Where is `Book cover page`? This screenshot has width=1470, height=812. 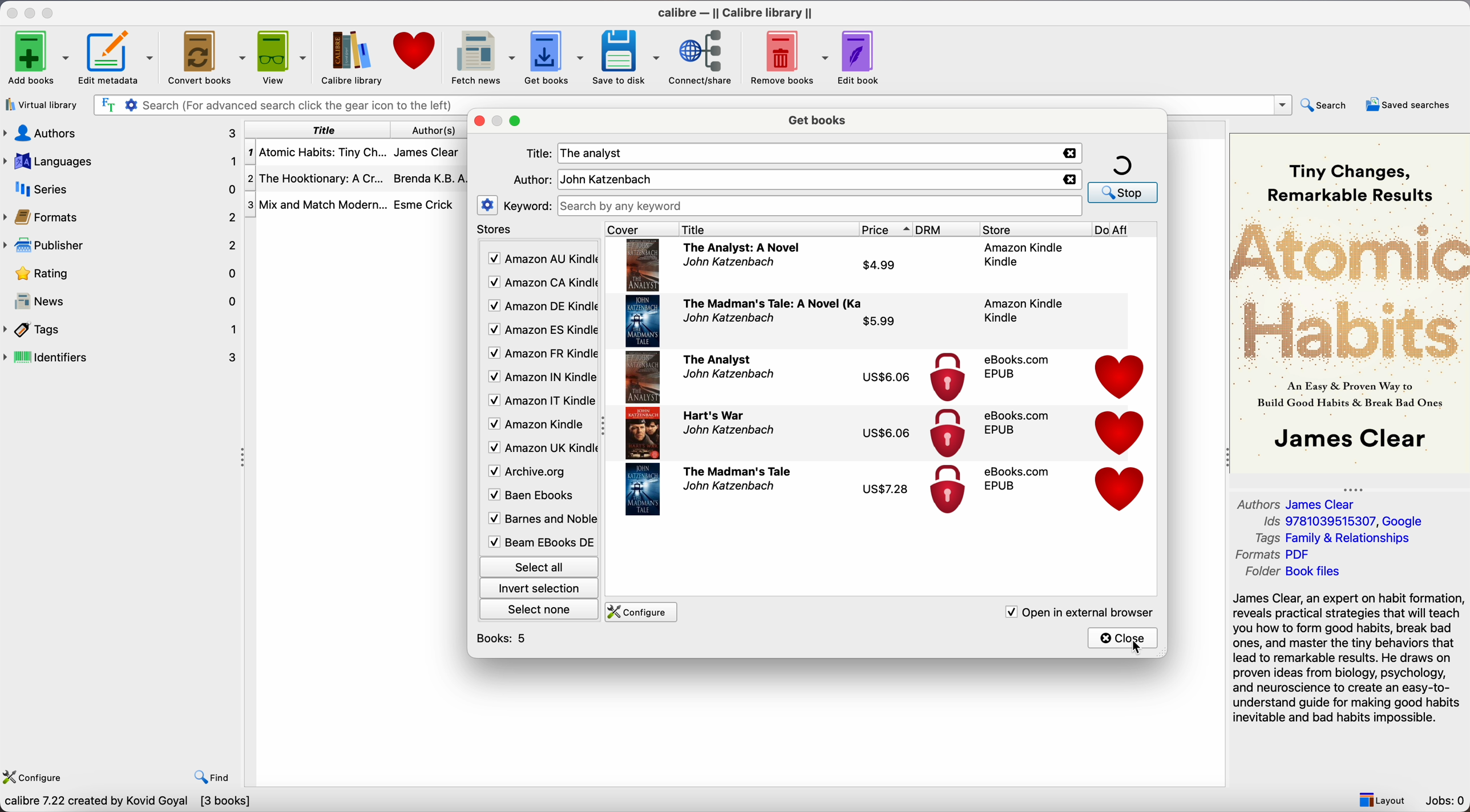
Book cover page is located at coordinates (643, 490).